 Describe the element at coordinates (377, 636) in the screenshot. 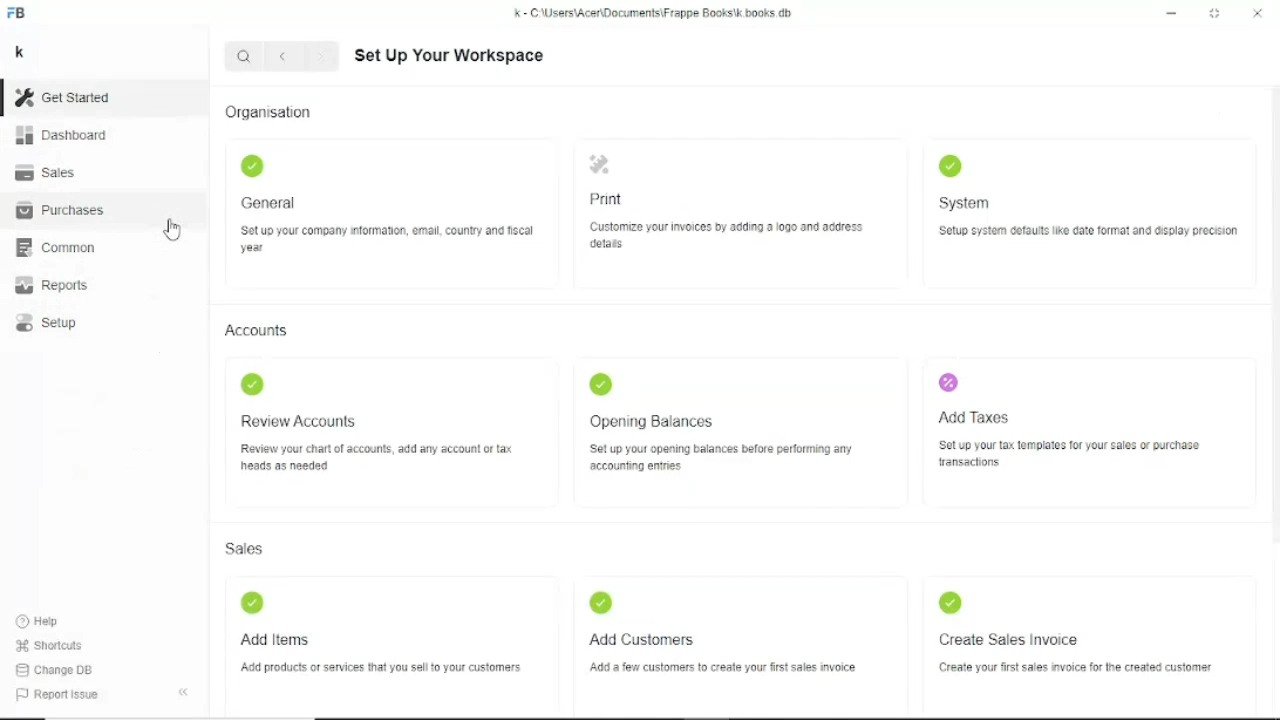

I see `Add items  add products or services that you sell to your customers.` at that location.